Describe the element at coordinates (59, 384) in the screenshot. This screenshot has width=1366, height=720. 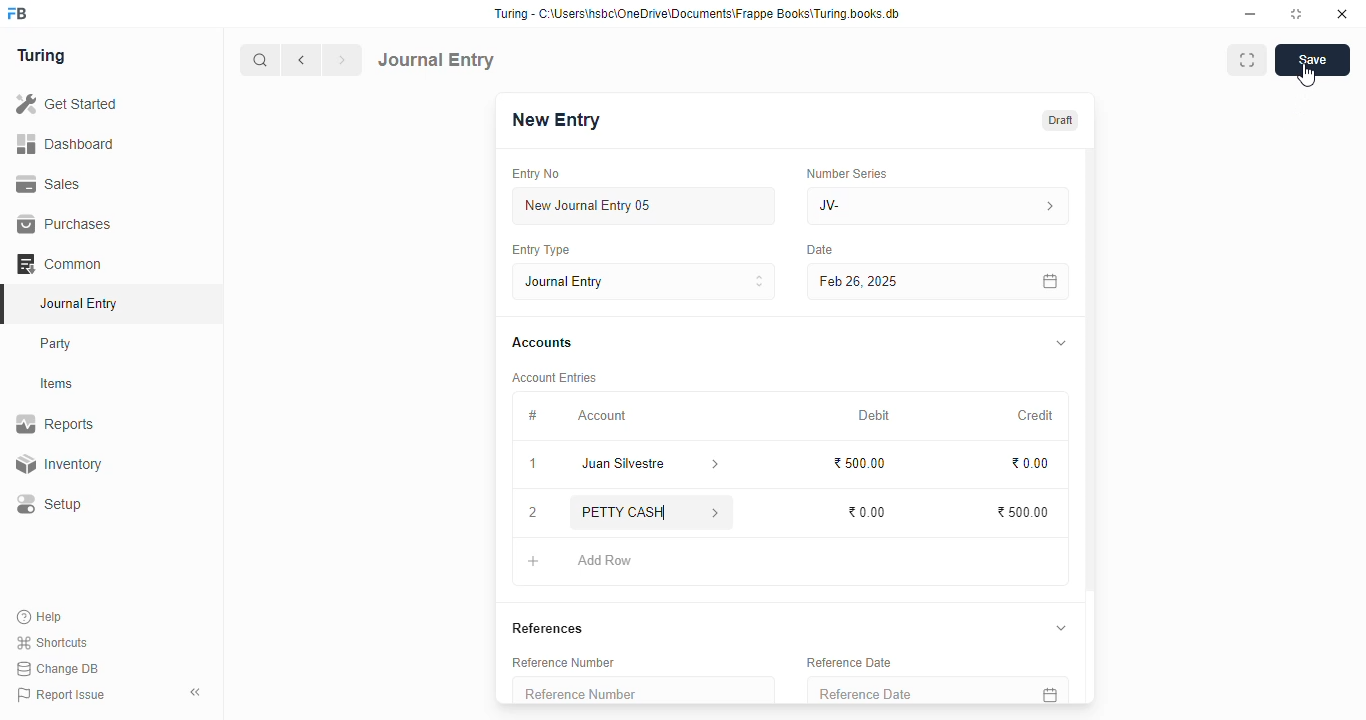
I see `items` at that location.